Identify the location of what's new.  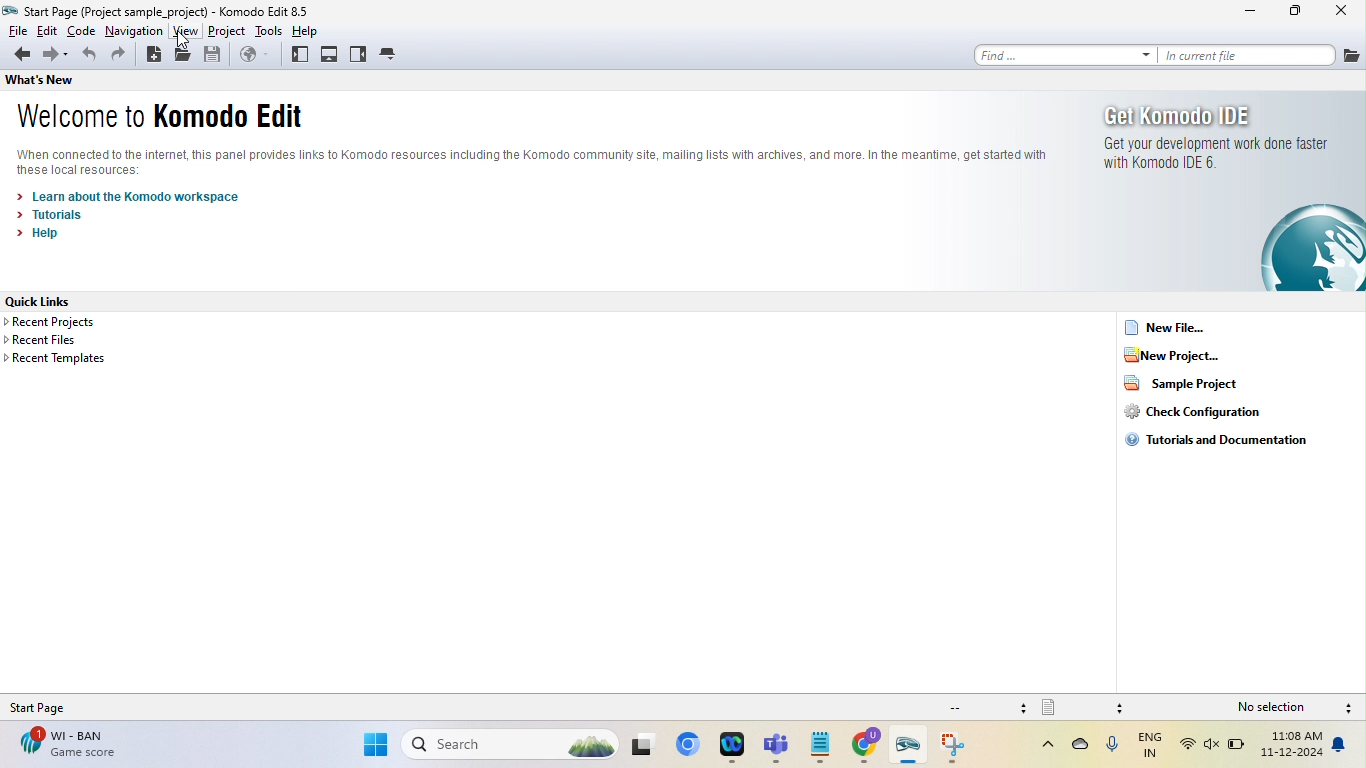
(41, 83).